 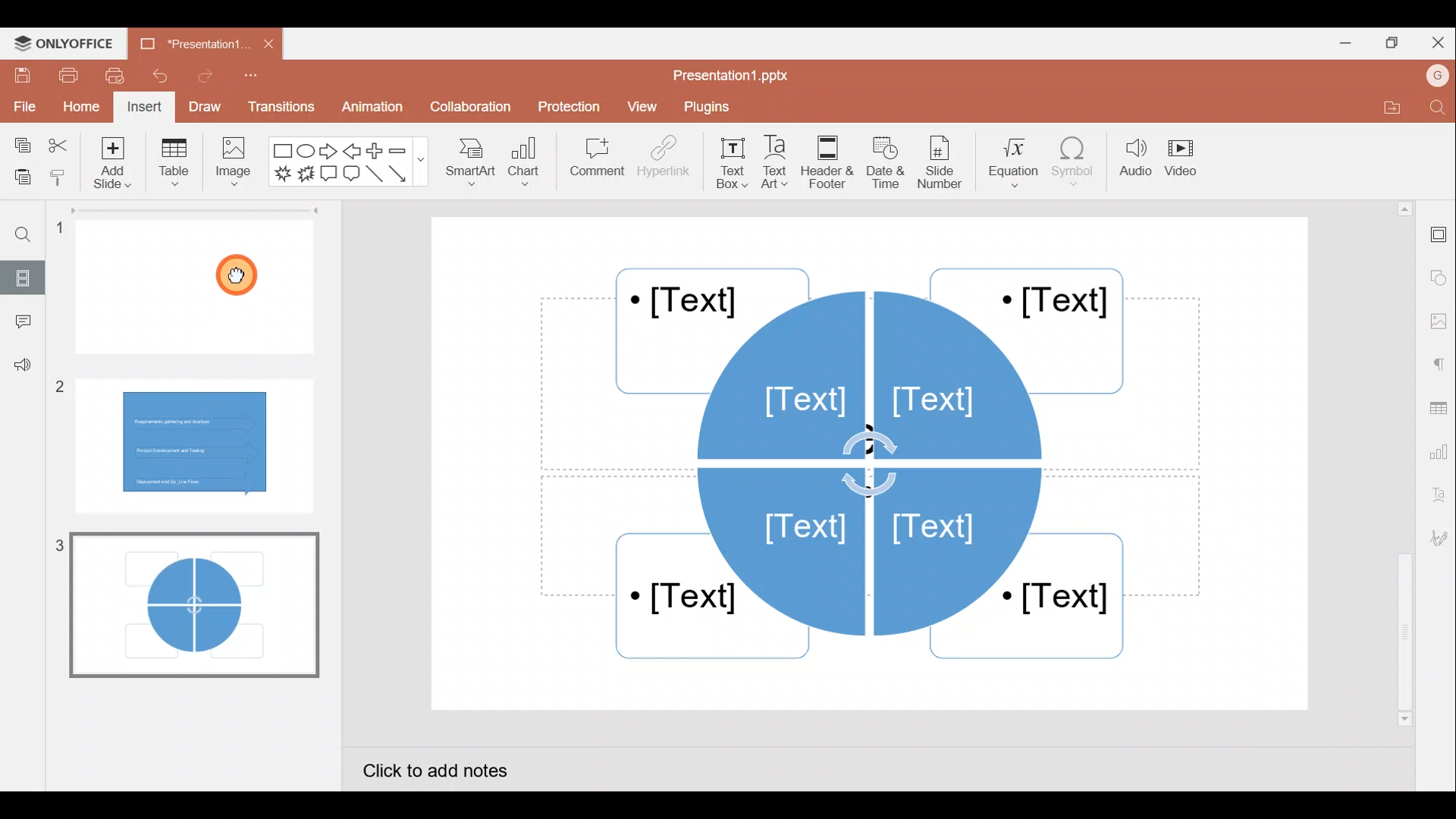 What do you see at coordinates (63, 76) in the screenshot?
I see `Print file` at bounding box center [63, 76].